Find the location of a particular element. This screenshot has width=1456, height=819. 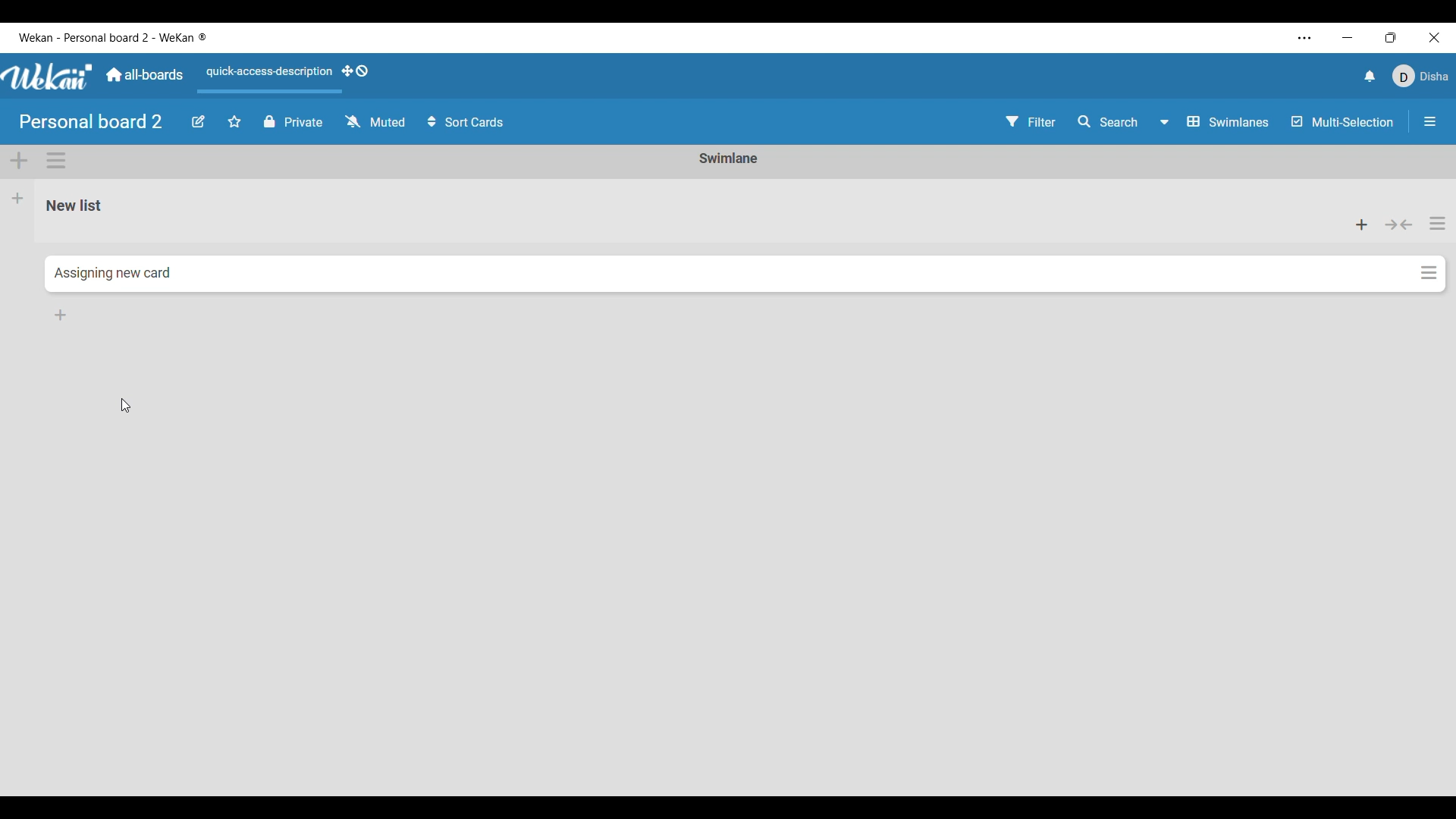

Notifications  is located at coordinates (1370, 76).